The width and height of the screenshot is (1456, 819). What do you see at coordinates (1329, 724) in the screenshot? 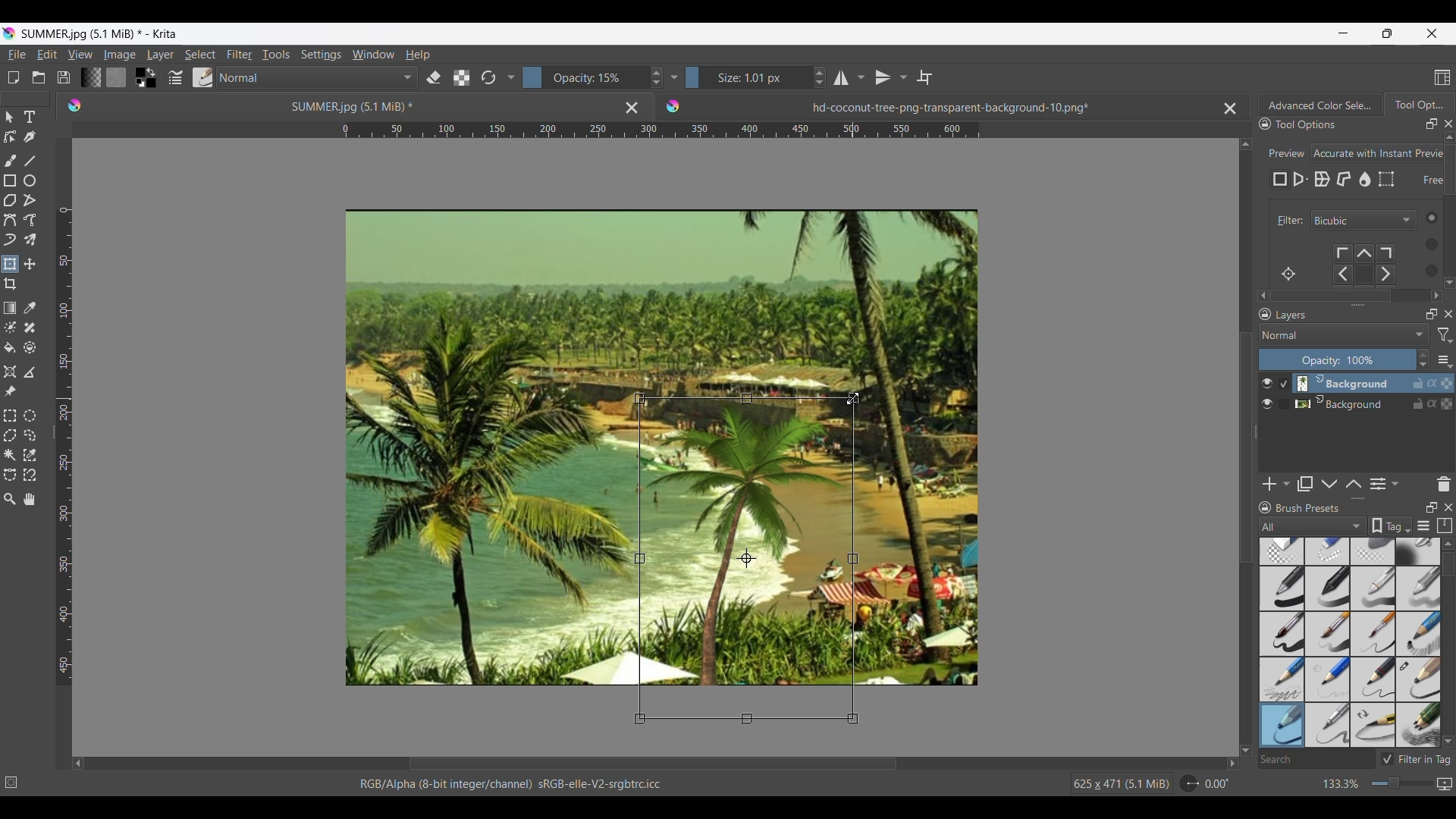
I see `pencil 5-tilted` at bounding box center [1329, 724].